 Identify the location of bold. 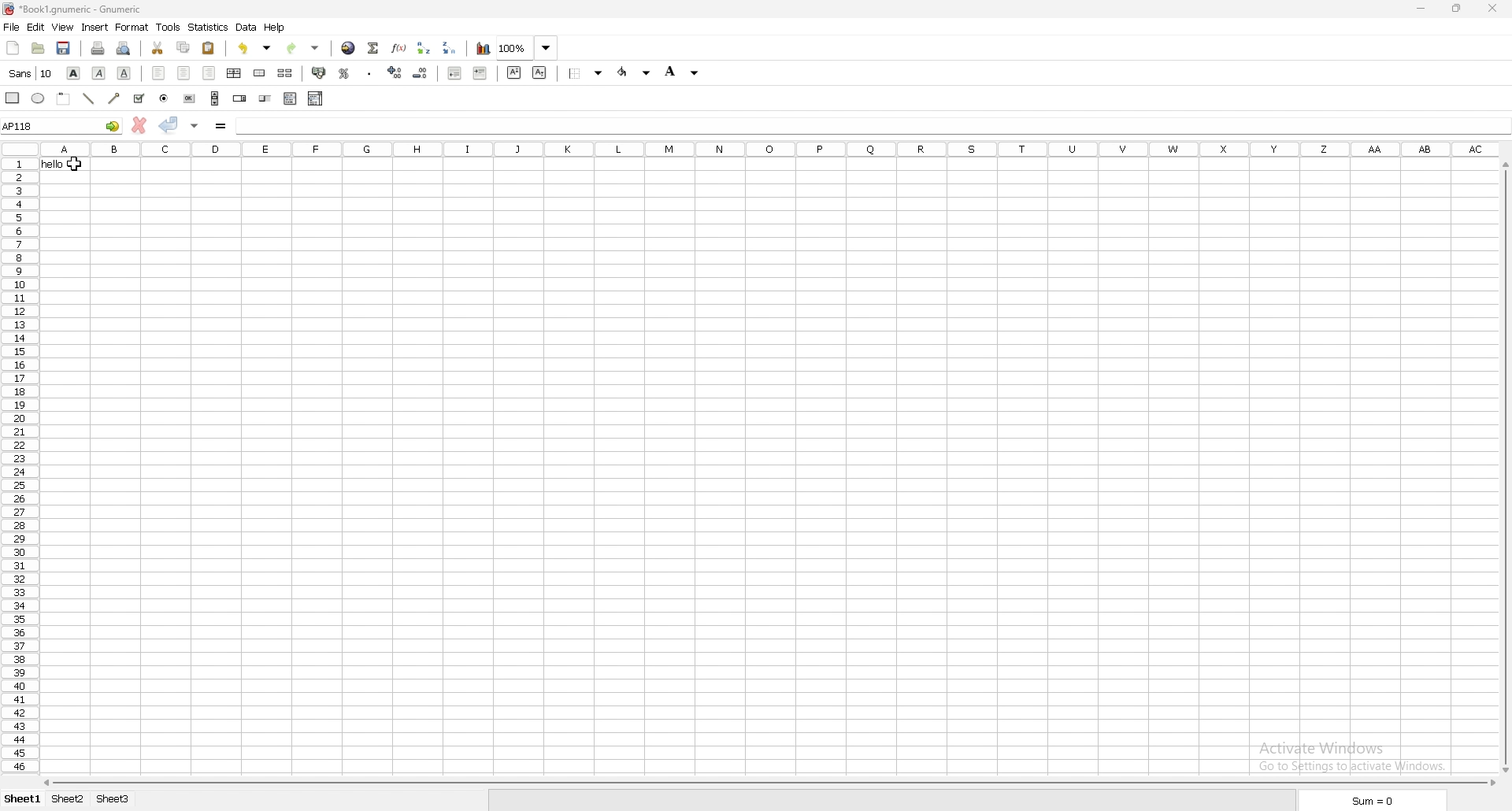
(76, 72).